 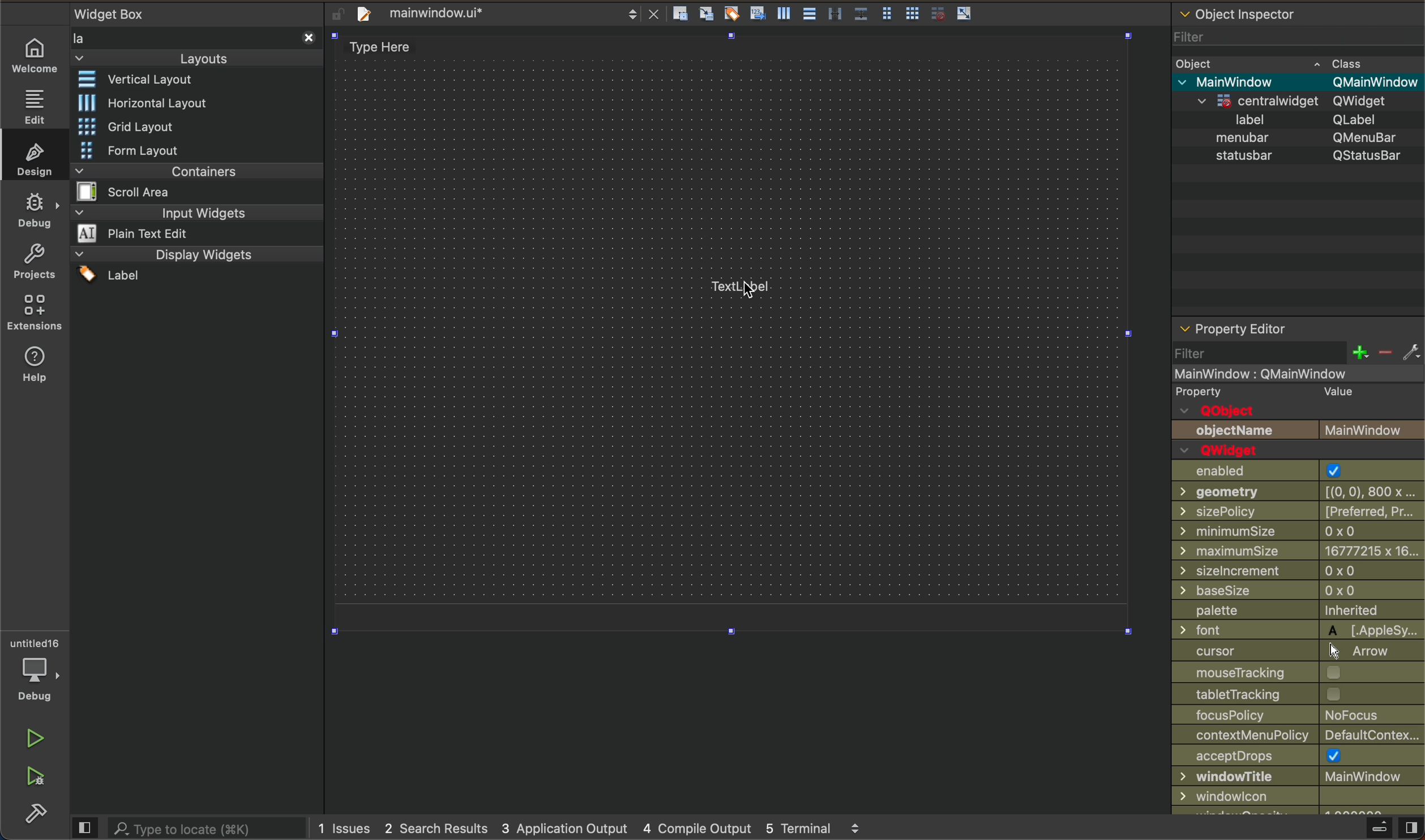 I want to click on main window, so click(x=1293, y=374).